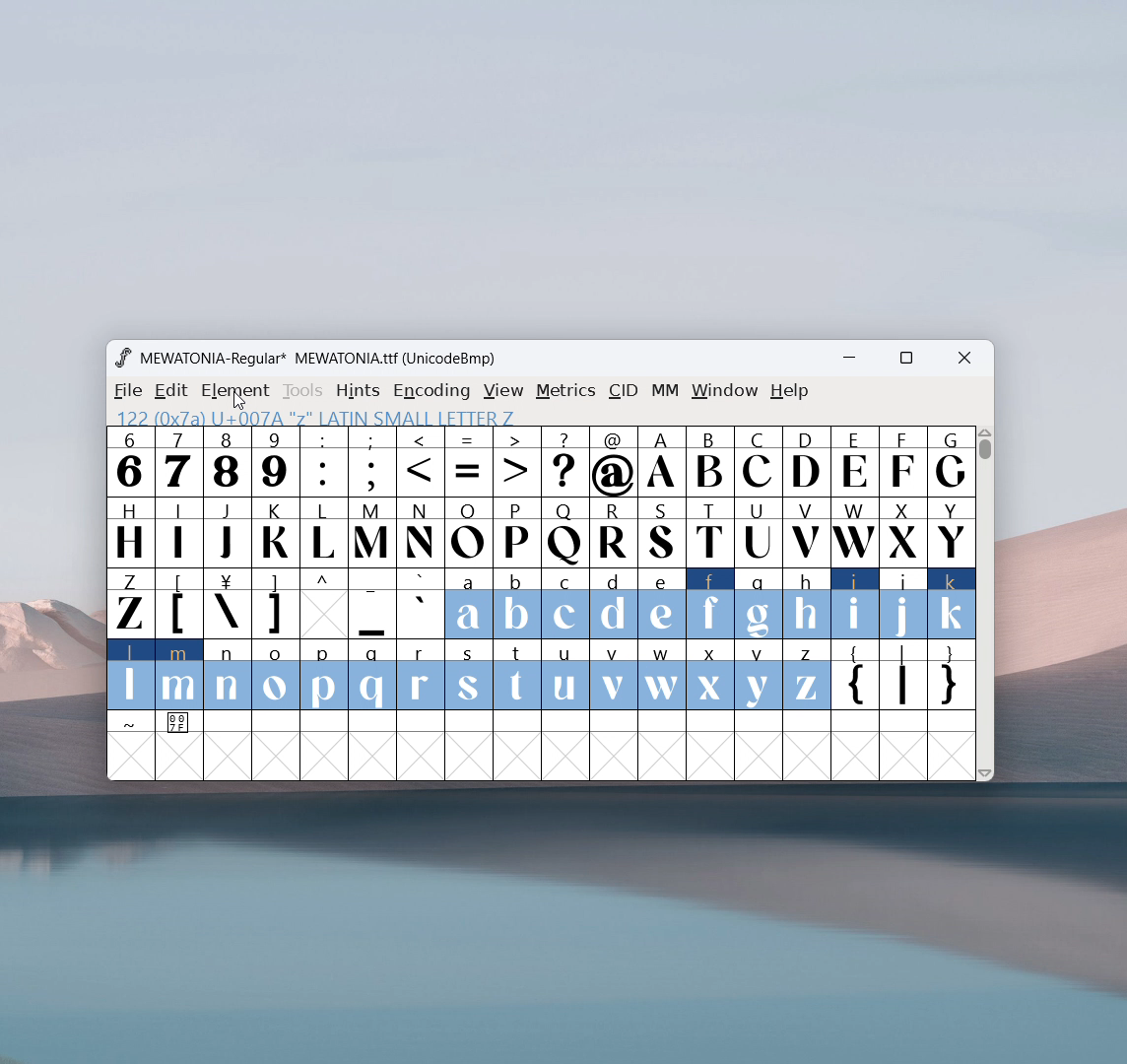  I want to click on X, so click(903, 531).